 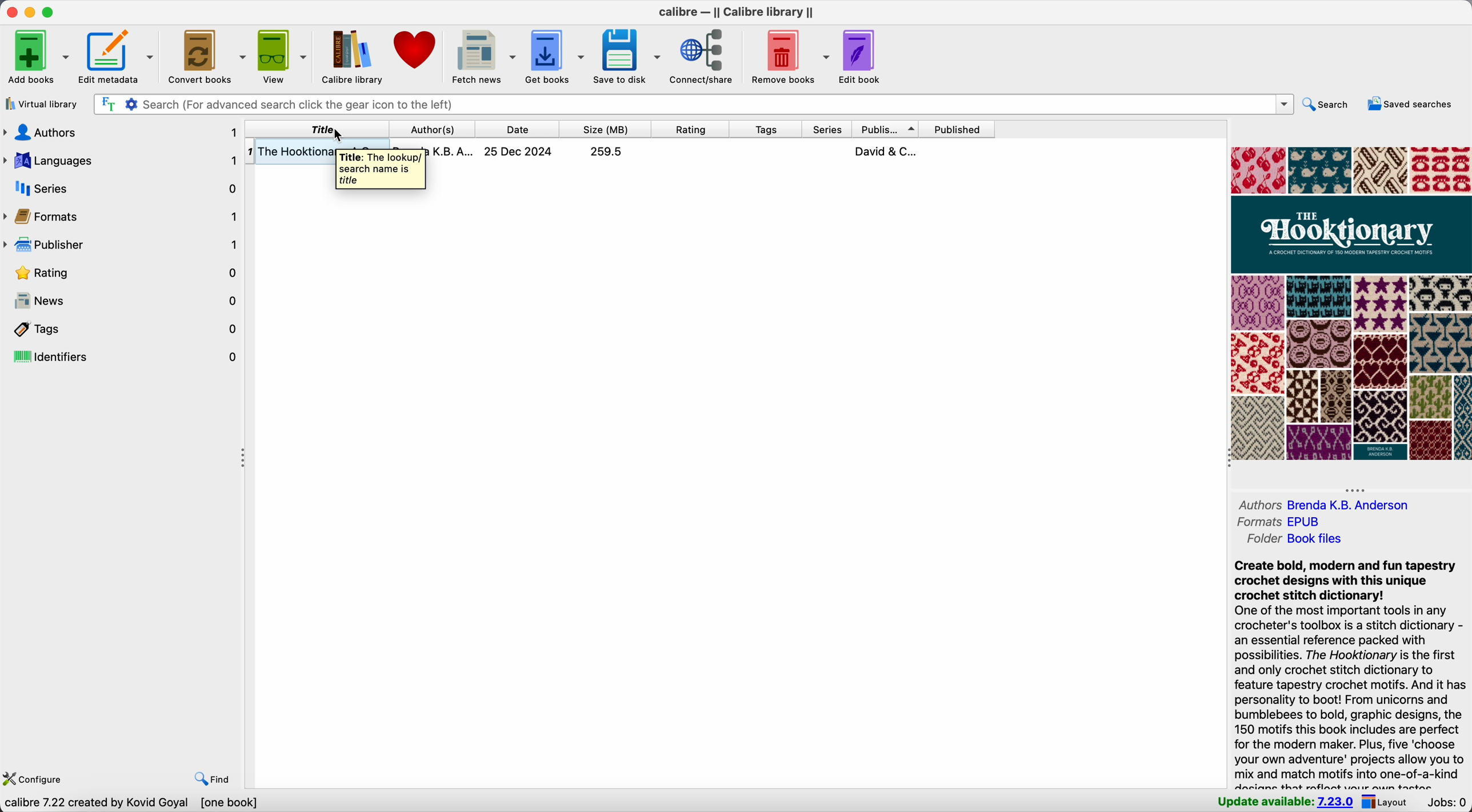 What do you see at coordinates (1278, 522) in the screenshot?
I see `formats EPUB` at bounding box center [1278, 522].